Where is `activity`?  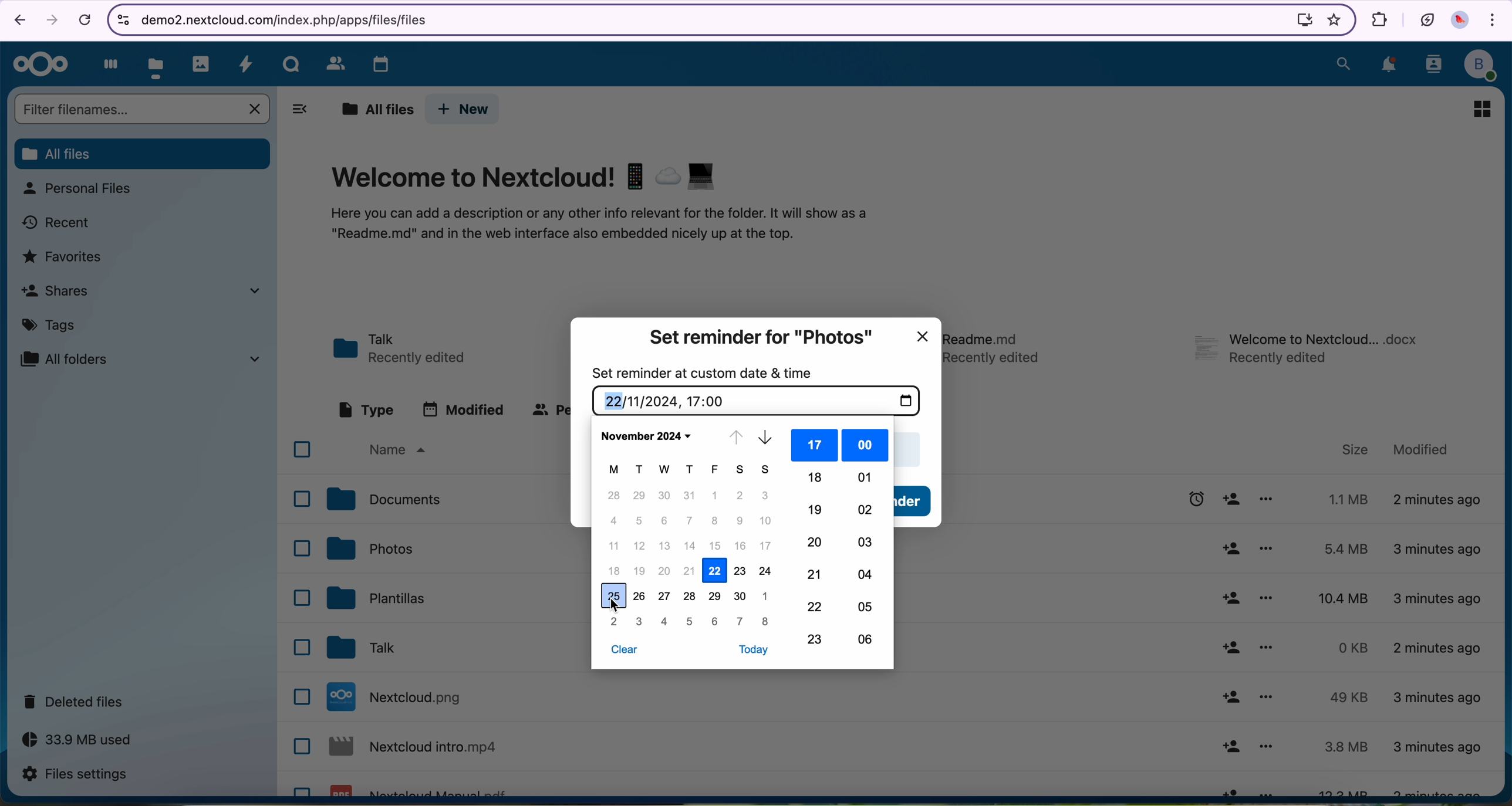 activity is located at coordinates (247, 64).